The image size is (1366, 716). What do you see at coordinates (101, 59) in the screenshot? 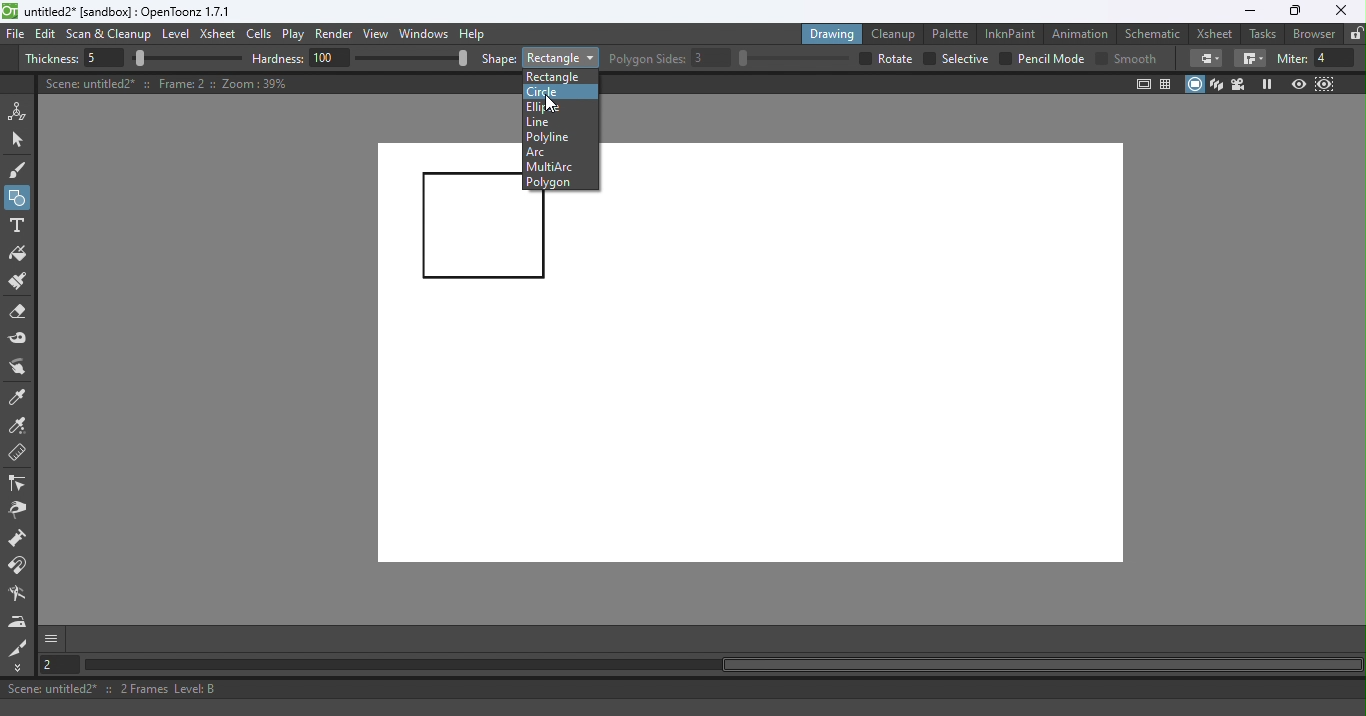
I see `5` at bounding box center [101, 59].